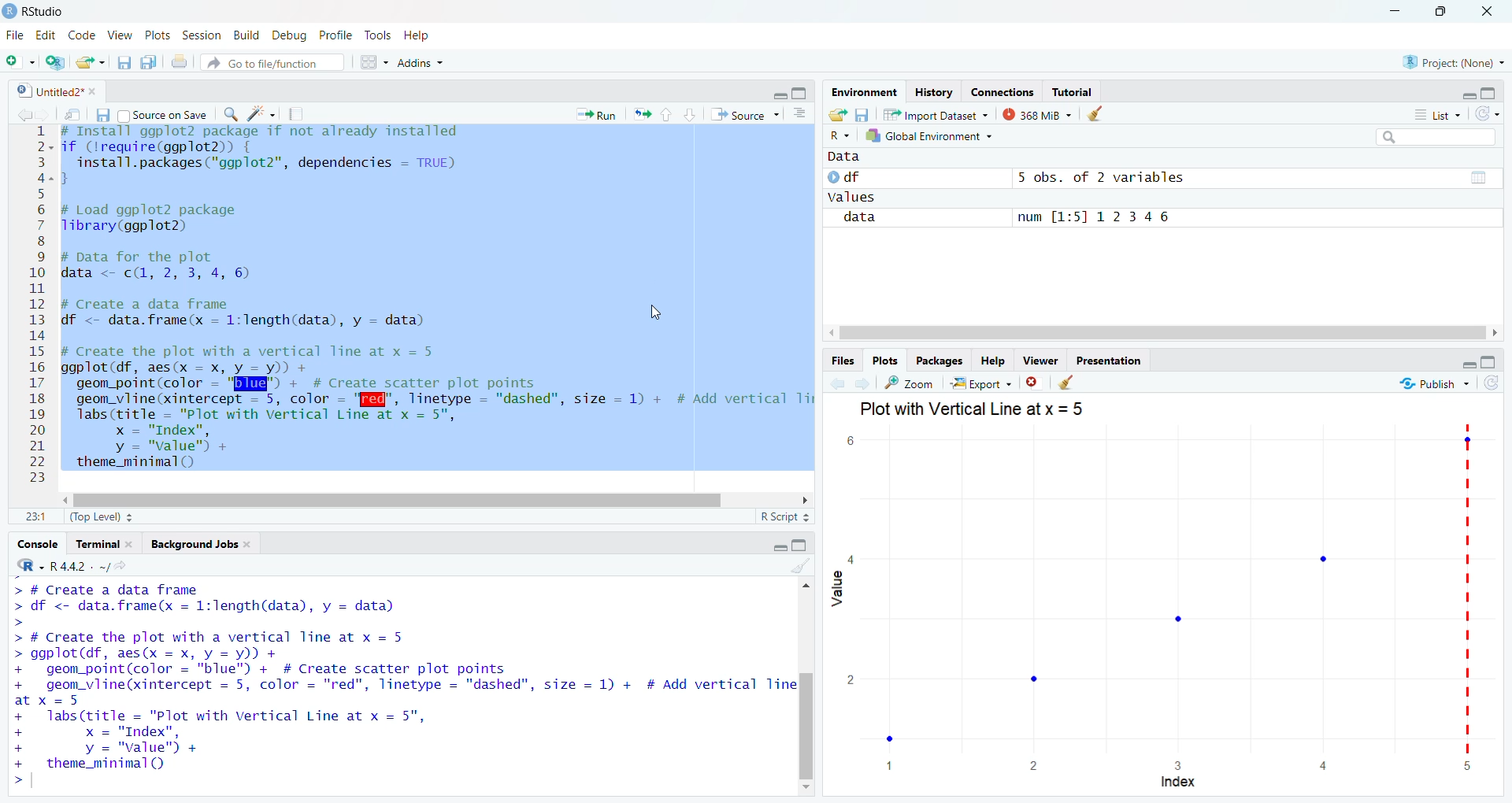 The width and height of the screenshot is (1512, 803). I want to click on Environment, so click(864, 90).